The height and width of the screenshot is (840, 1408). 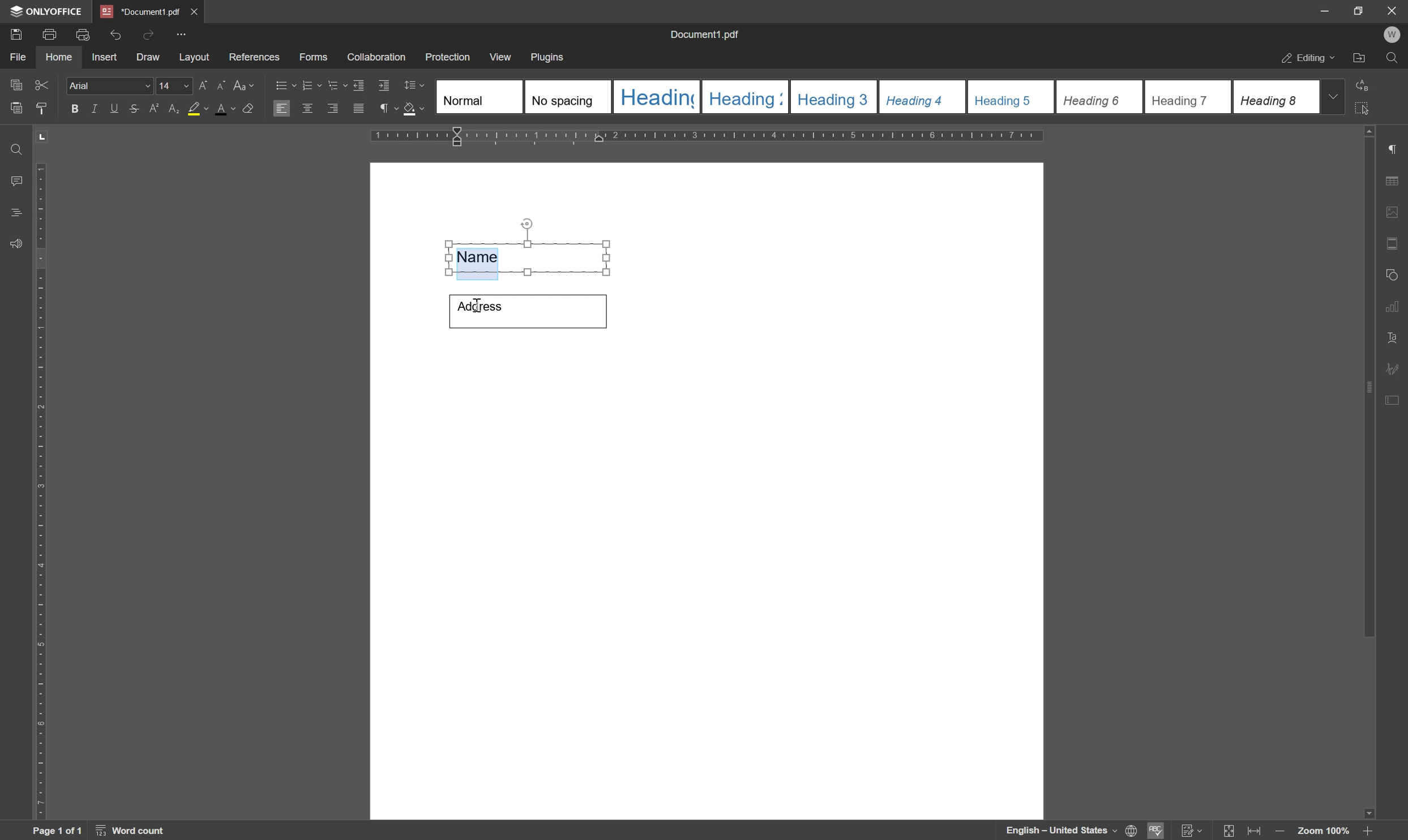 What do you see at coordinates (1360, 59) in the screenshot?
I see `open file location` at bounding box center [1360, 59].